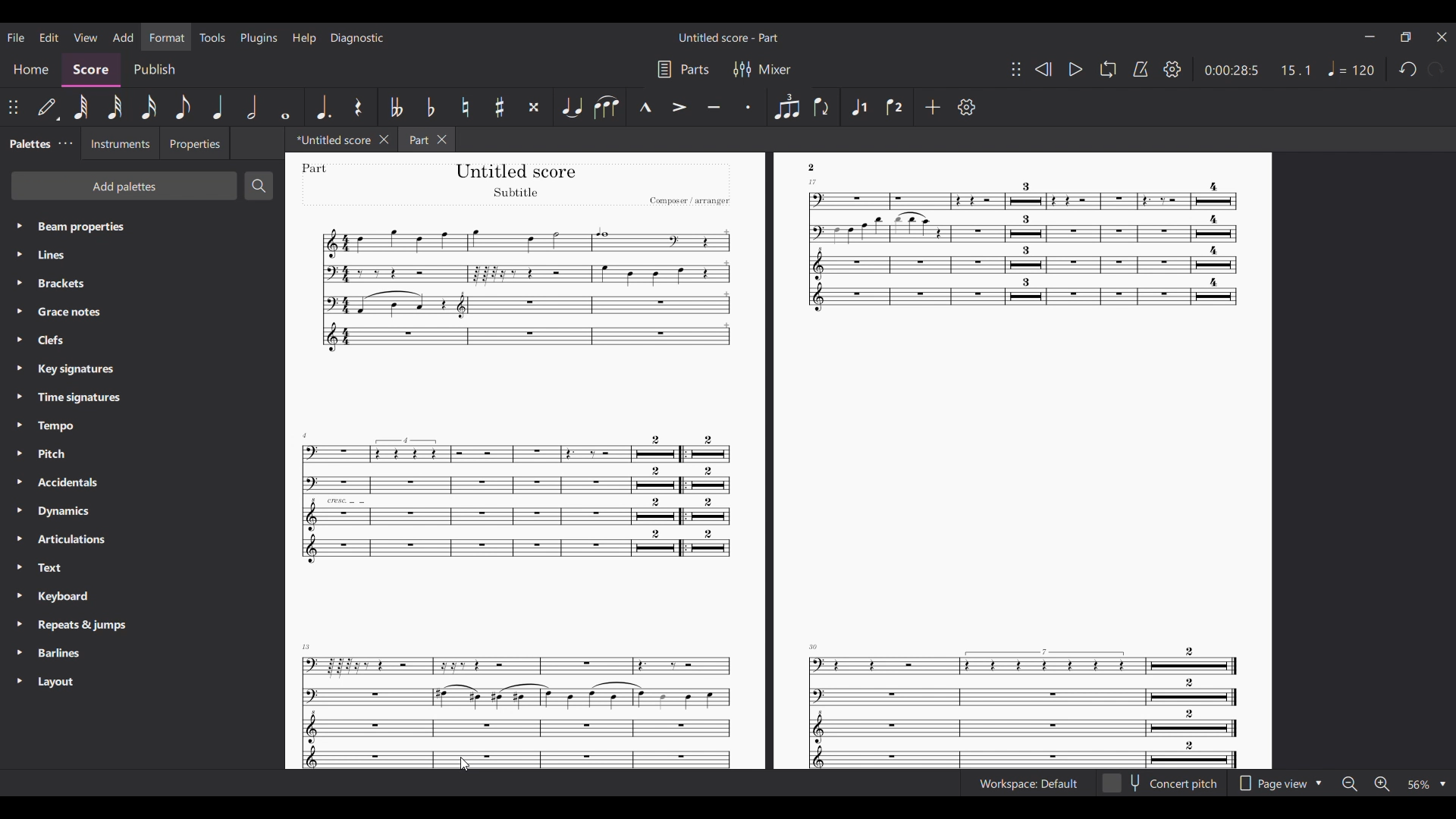 The image size is (1456, 819). What do you see at coordinates (516, 501) in the screenshot?
I see `` at bounding box center [516, 501].